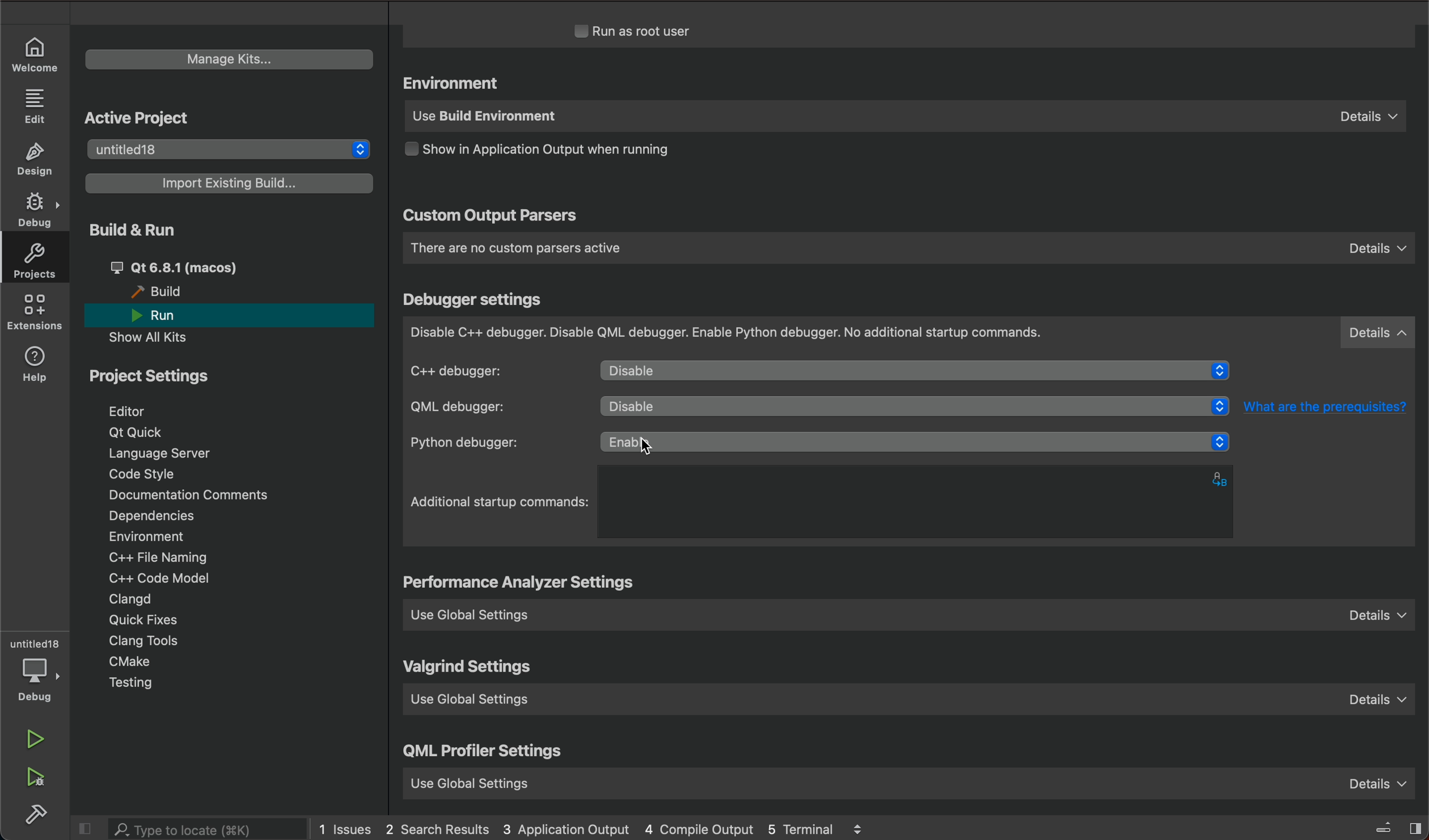  What do you see at coordinates (231, 183) in the screenshot?
I see `import ` at bounding box center [231, 183].